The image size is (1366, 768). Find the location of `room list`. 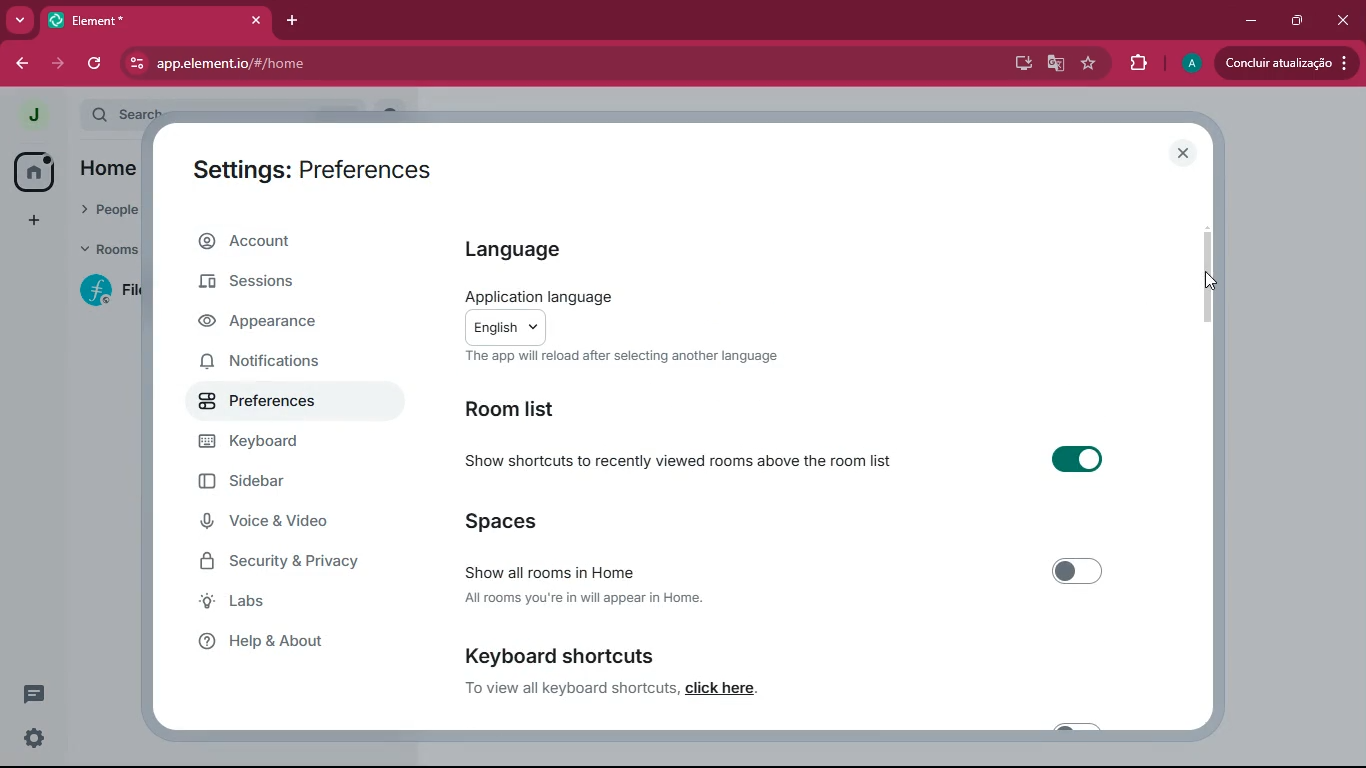

room list is located at coordinates (555, 409).